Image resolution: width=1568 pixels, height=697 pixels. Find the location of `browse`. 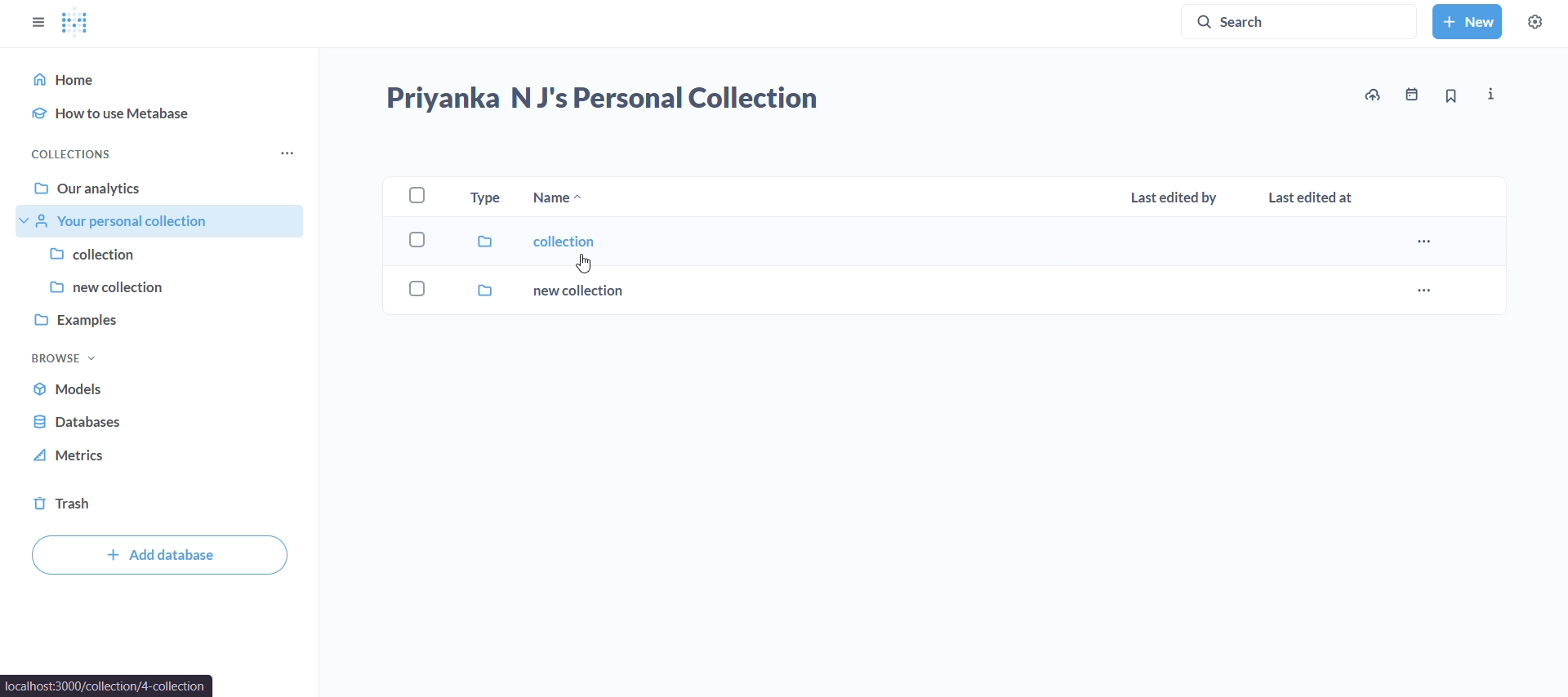

browse is located at coordinates (65, 357).